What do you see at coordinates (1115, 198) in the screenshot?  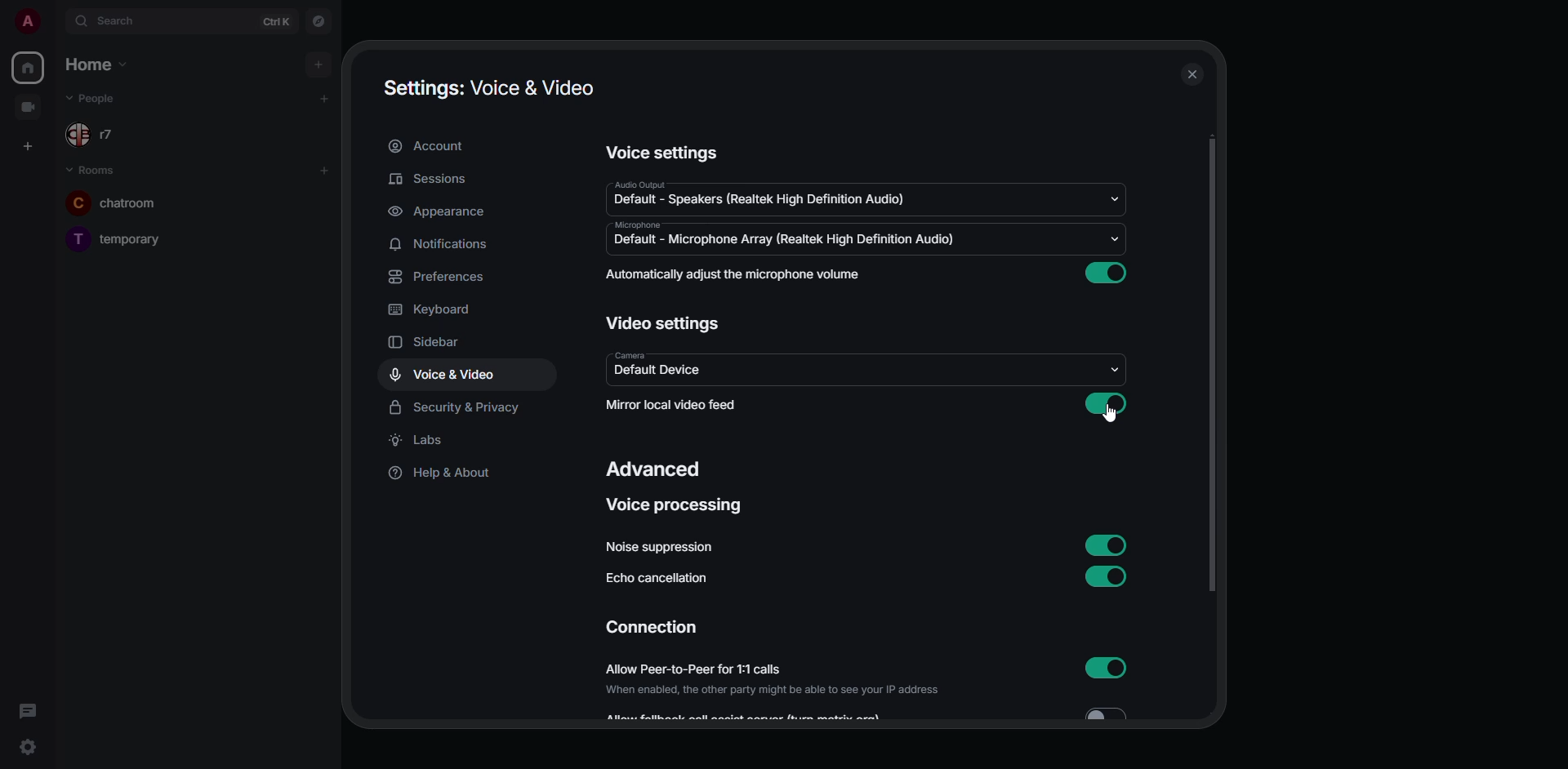 I see `drop down` at bounding box center [1115, 198].